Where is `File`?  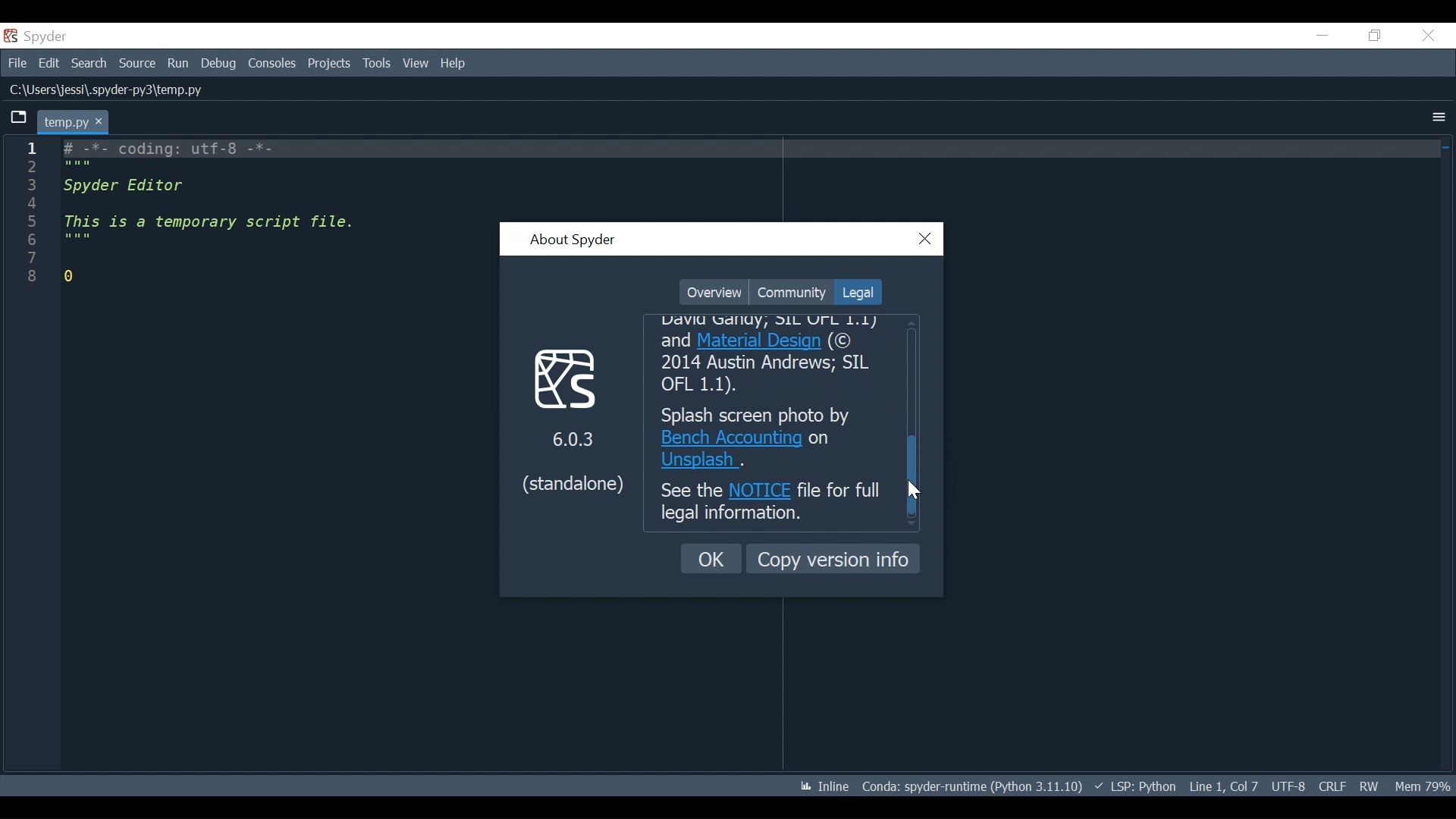
File is located at coordinates (15, 61).